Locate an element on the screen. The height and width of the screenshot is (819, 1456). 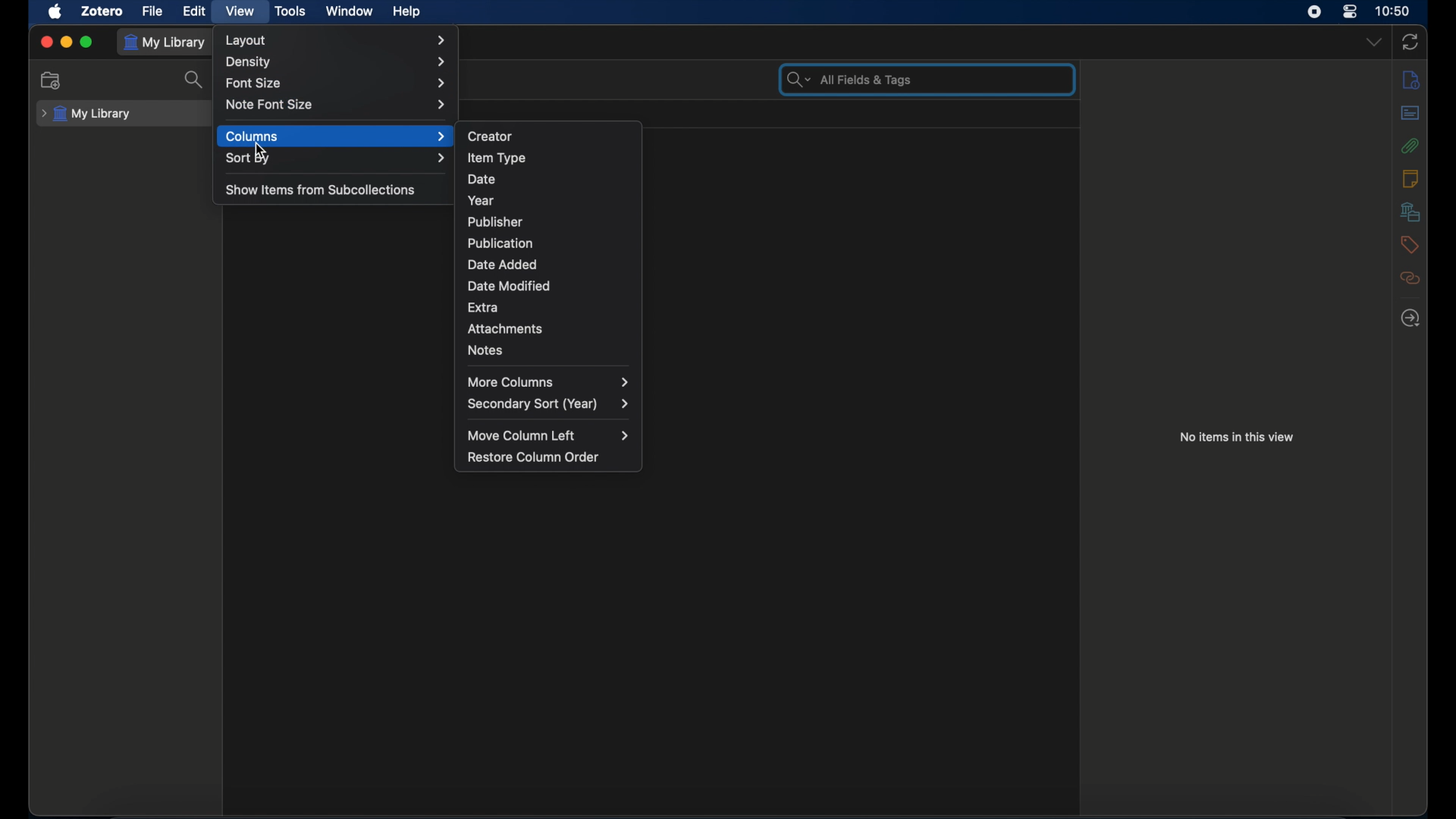
sync is located at coordinates (1410, 42).